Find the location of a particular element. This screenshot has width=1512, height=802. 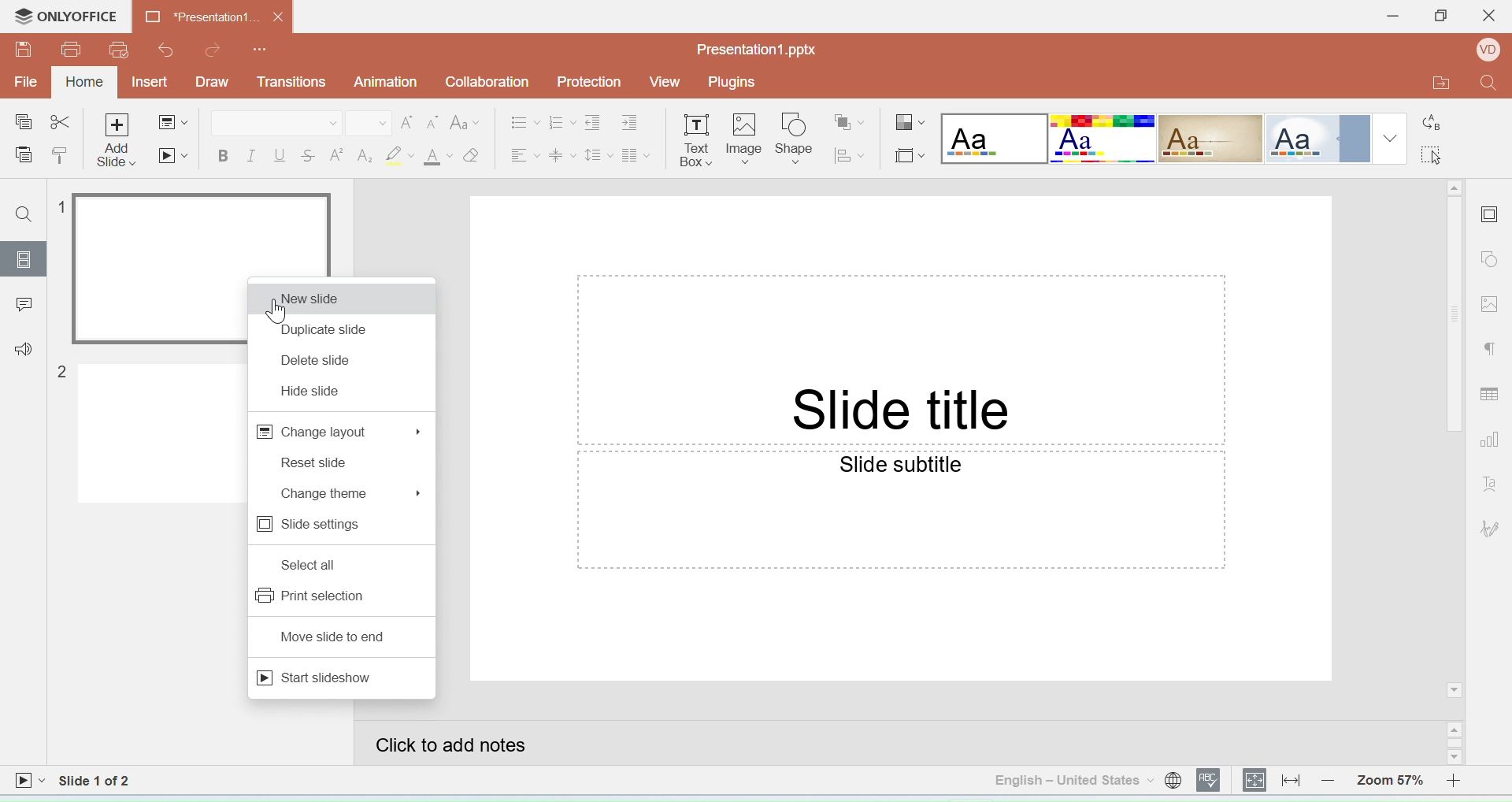

Basic is located at coordinates (1103, 139).